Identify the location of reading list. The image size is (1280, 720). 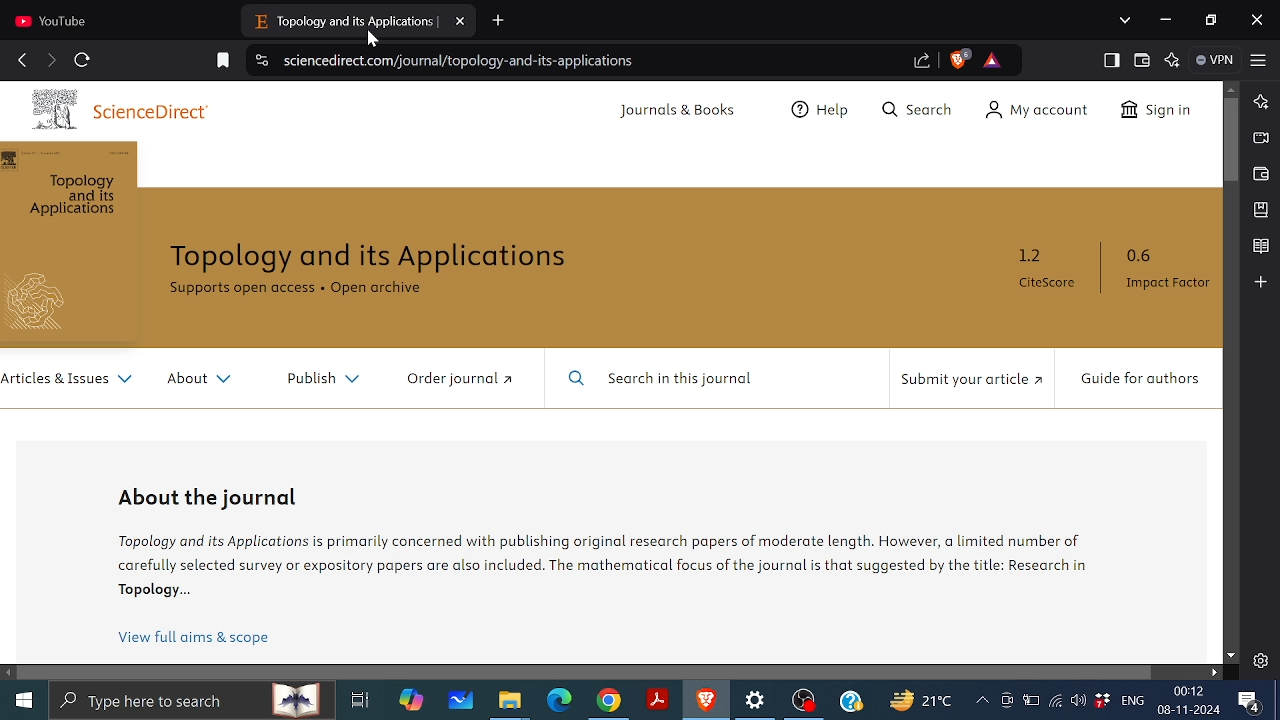
(1261, 247).